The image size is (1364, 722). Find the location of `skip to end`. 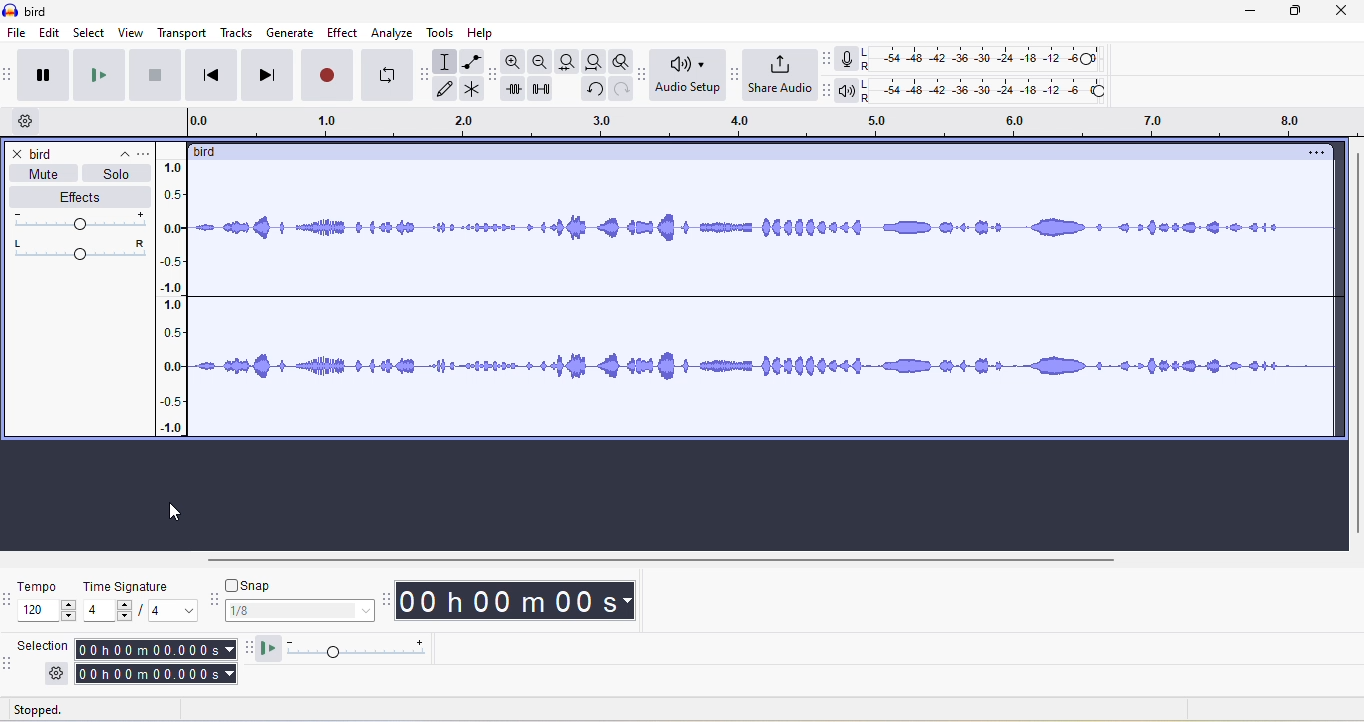

skip to end is located at coordinates (268, 75).